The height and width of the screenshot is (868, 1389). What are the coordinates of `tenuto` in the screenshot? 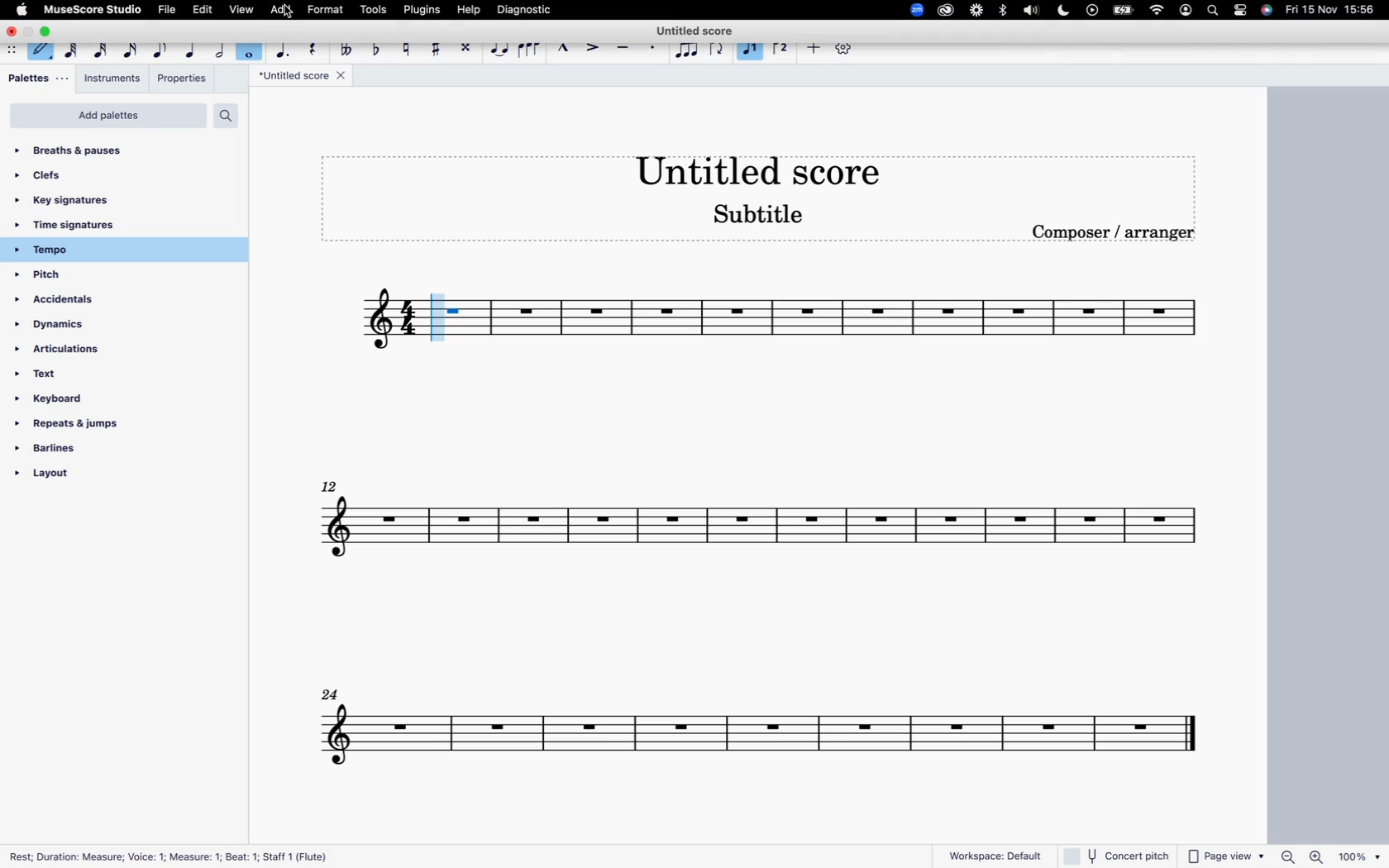 It's located at (622, 48).